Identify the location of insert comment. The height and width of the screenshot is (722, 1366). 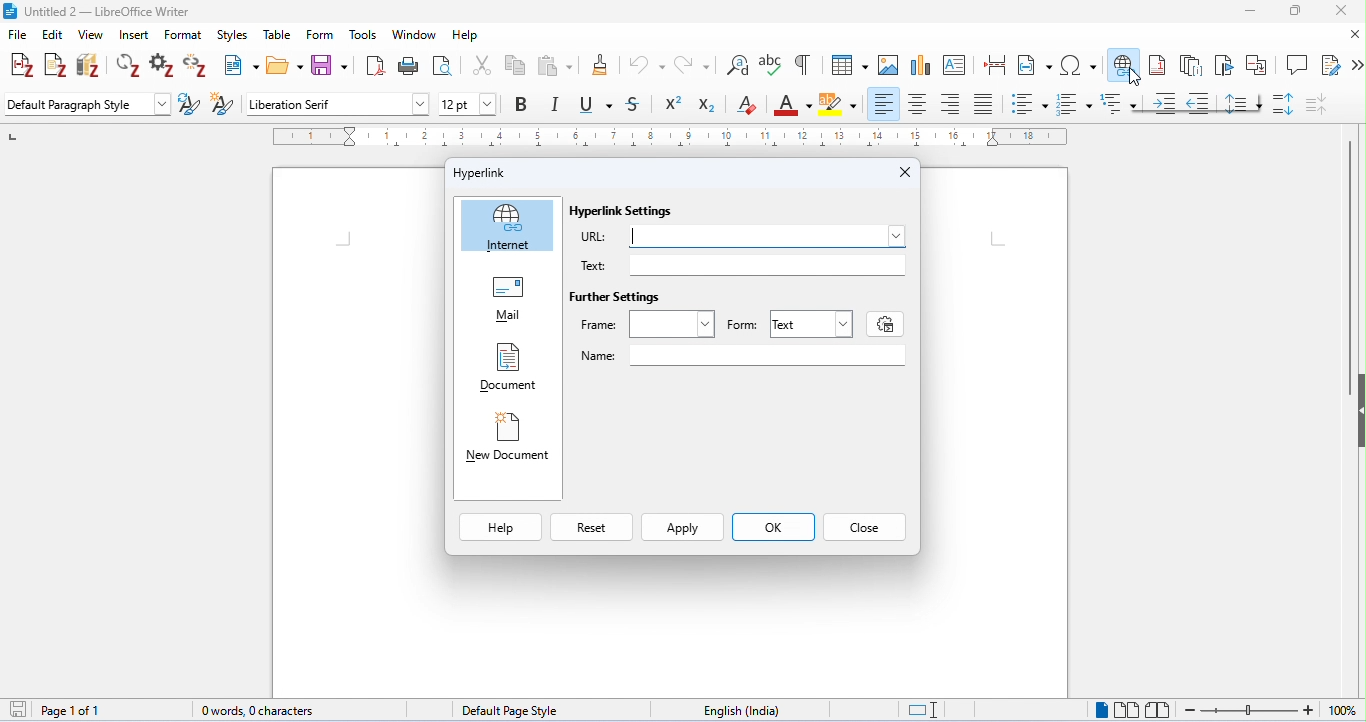
(1298, 65).